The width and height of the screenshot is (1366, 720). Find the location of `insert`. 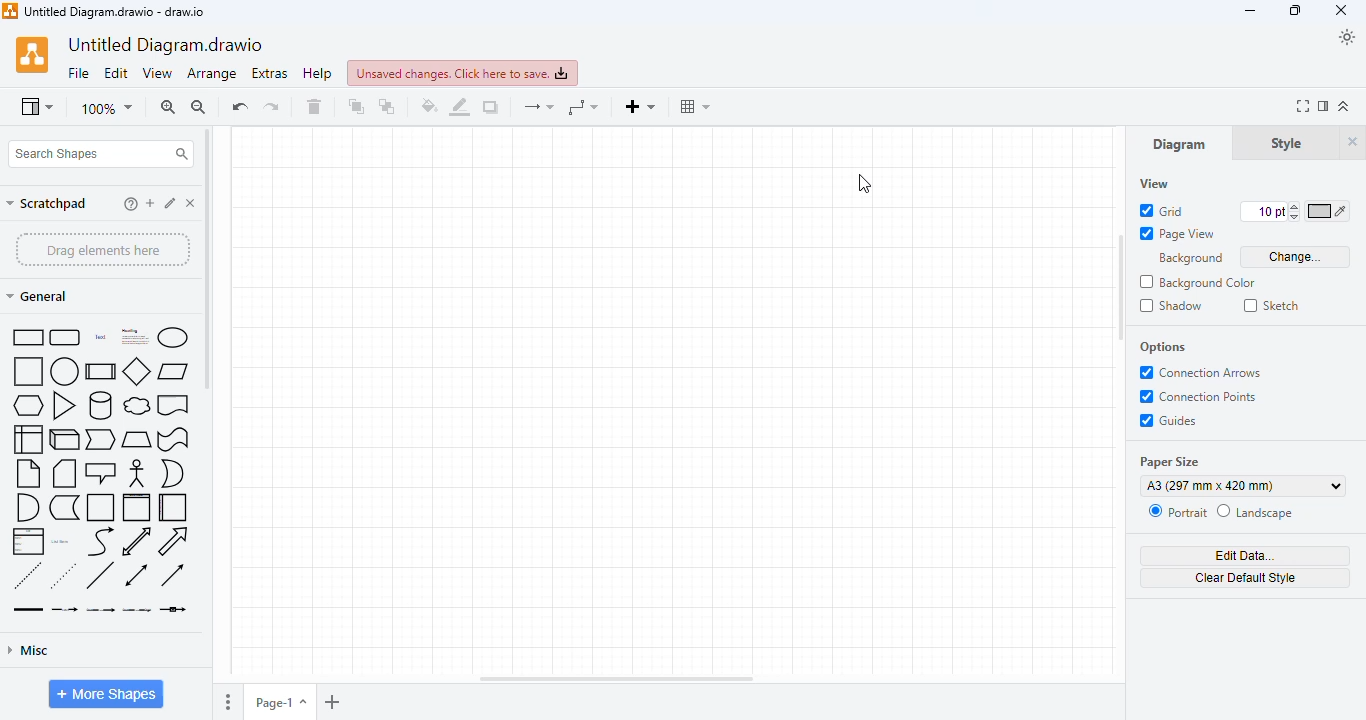

insert is located at coordinates (640, 107).